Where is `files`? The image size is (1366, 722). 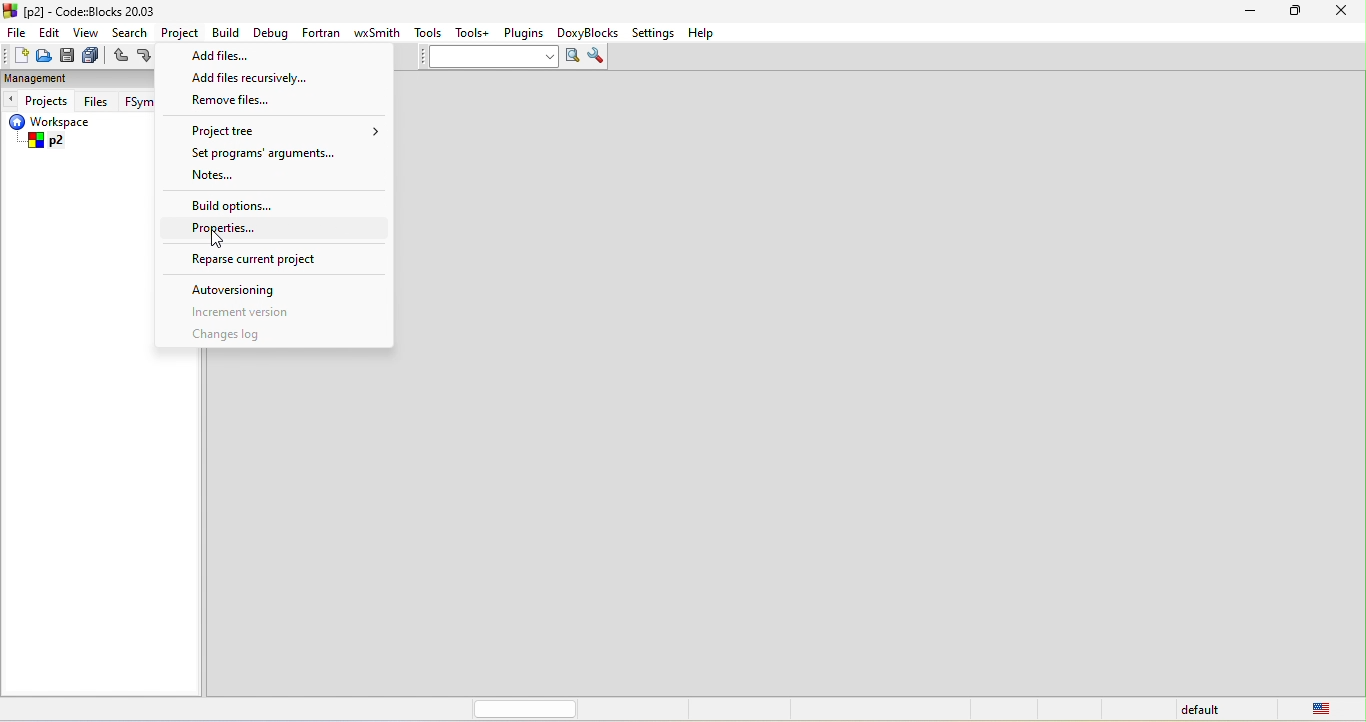
files is located at coordinates (97, 100).